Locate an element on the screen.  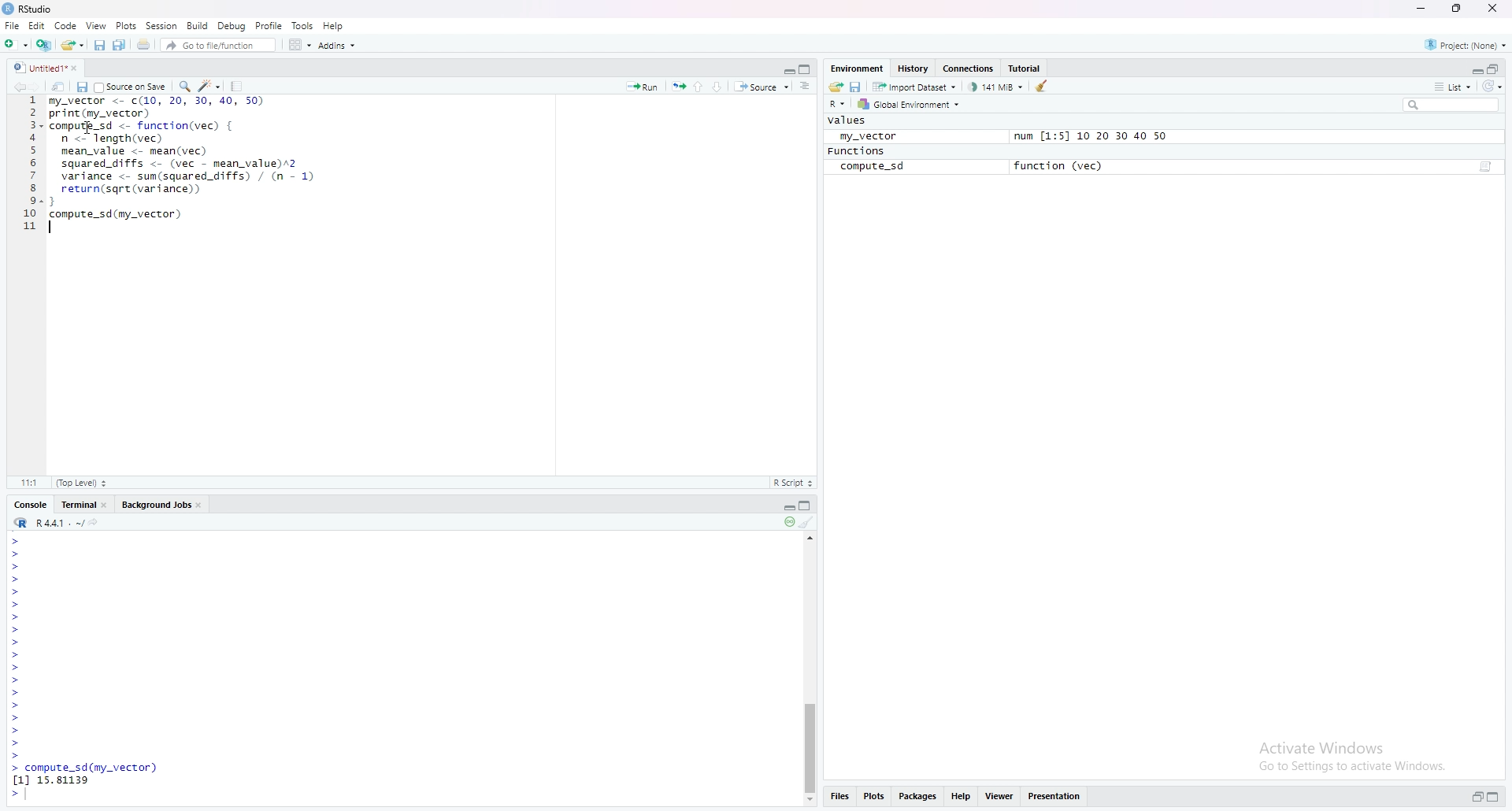
Save current document (Ctrl + S) is located at coordinates (99, 45).